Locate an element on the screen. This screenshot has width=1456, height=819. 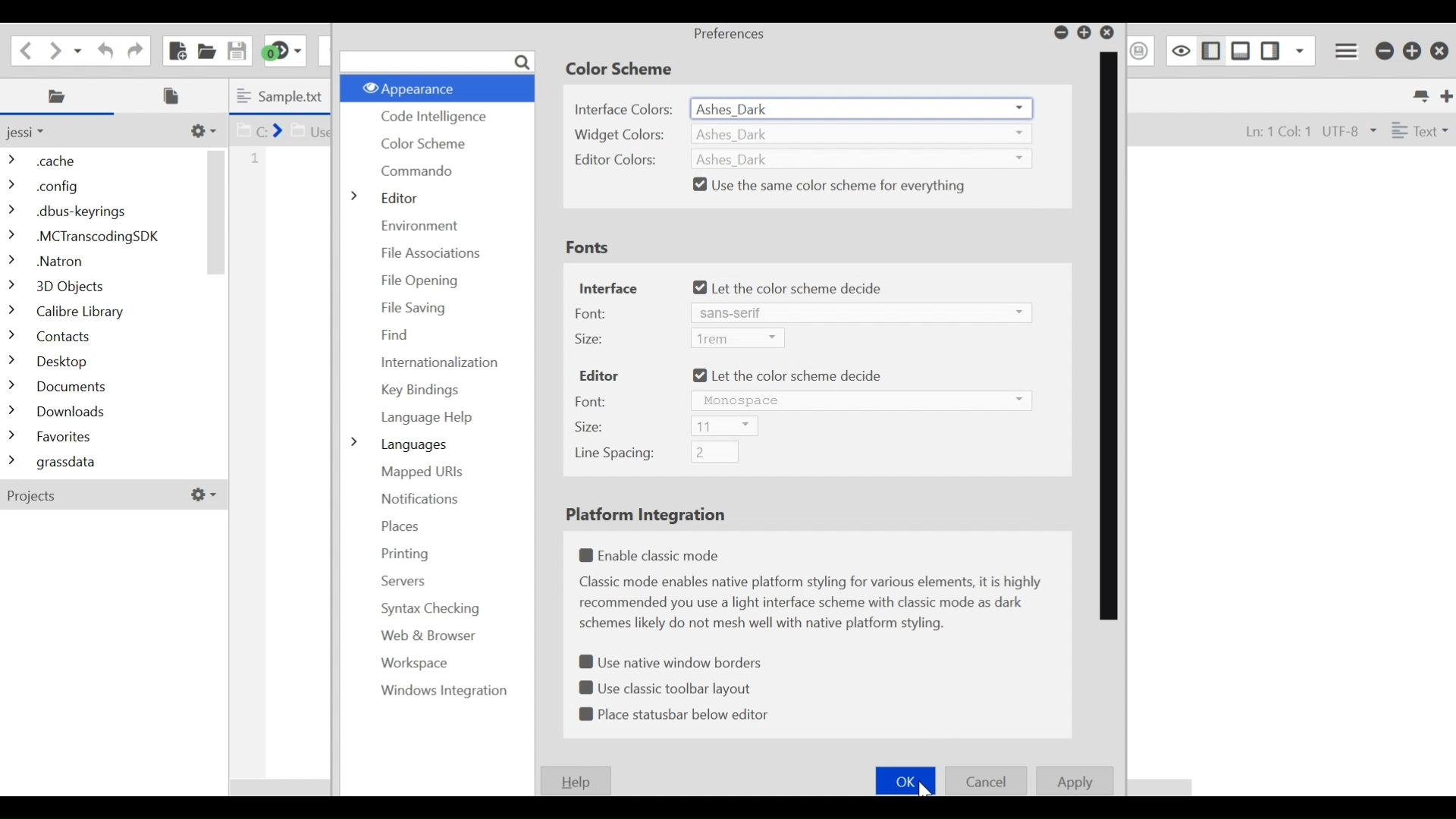
Places is located at coordinates (60, 96).